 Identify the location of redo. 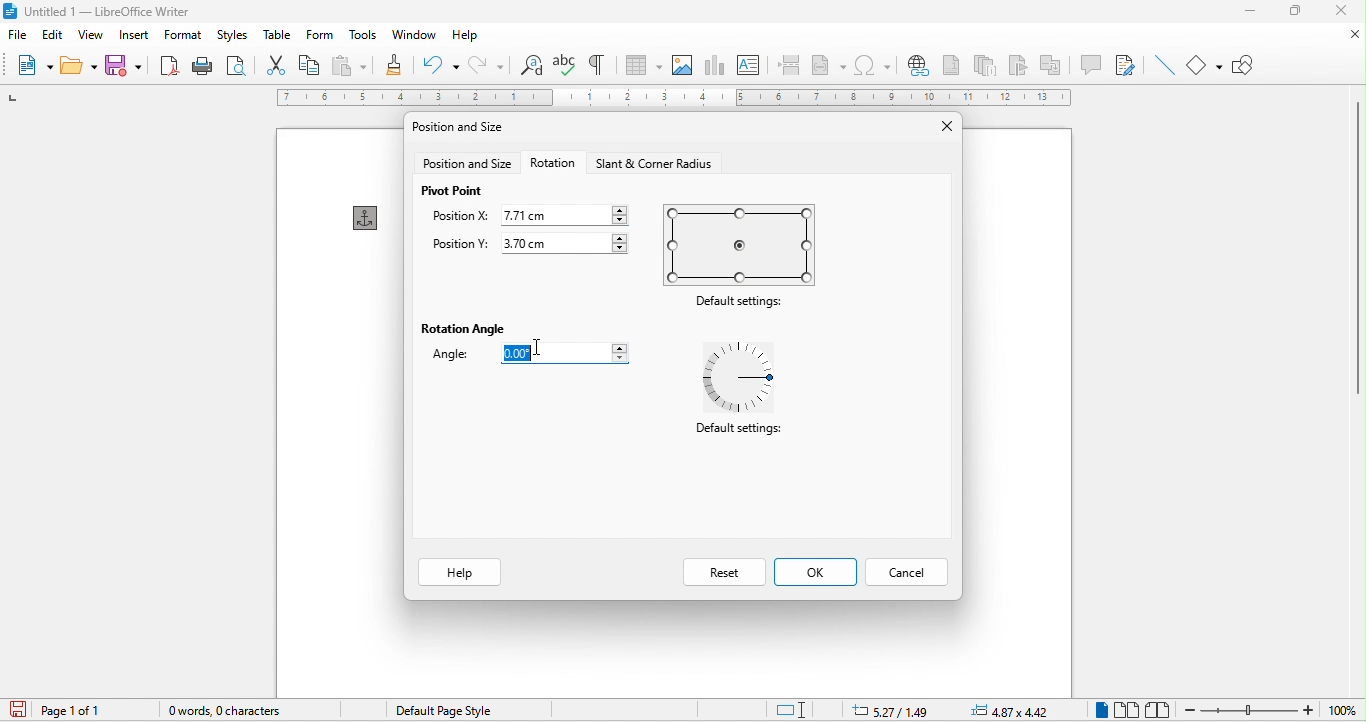
(490, 67).